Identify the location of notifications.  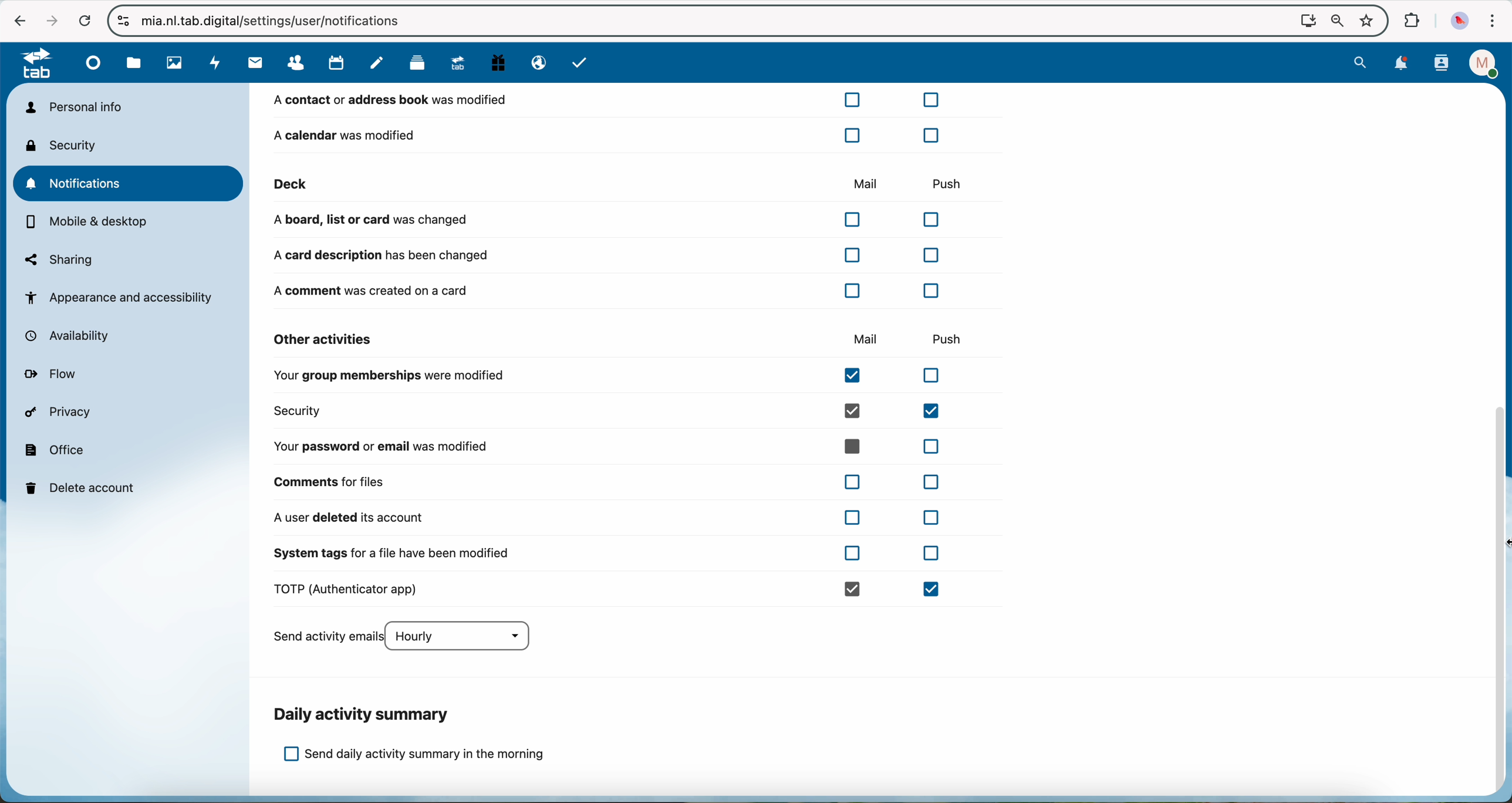
(130, 183).